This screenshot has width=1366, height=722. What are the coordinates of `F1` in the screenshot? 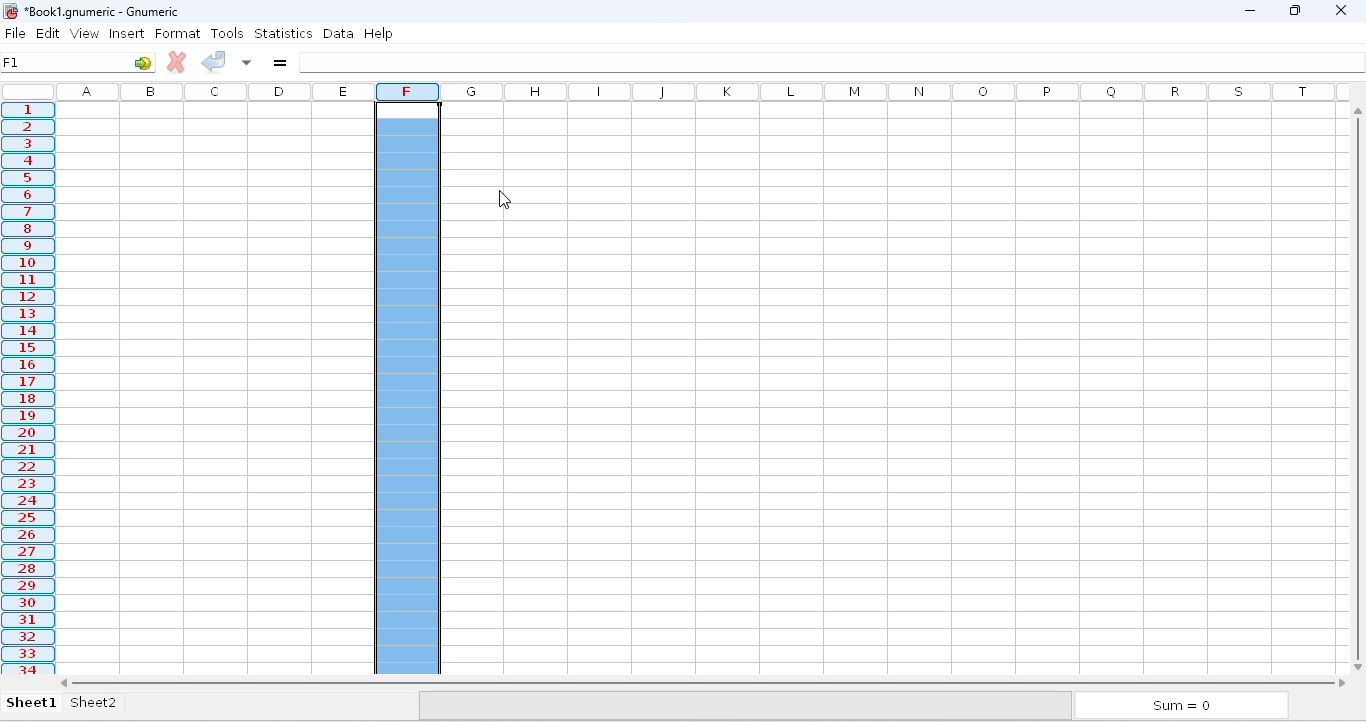 It's located at (59, 62).